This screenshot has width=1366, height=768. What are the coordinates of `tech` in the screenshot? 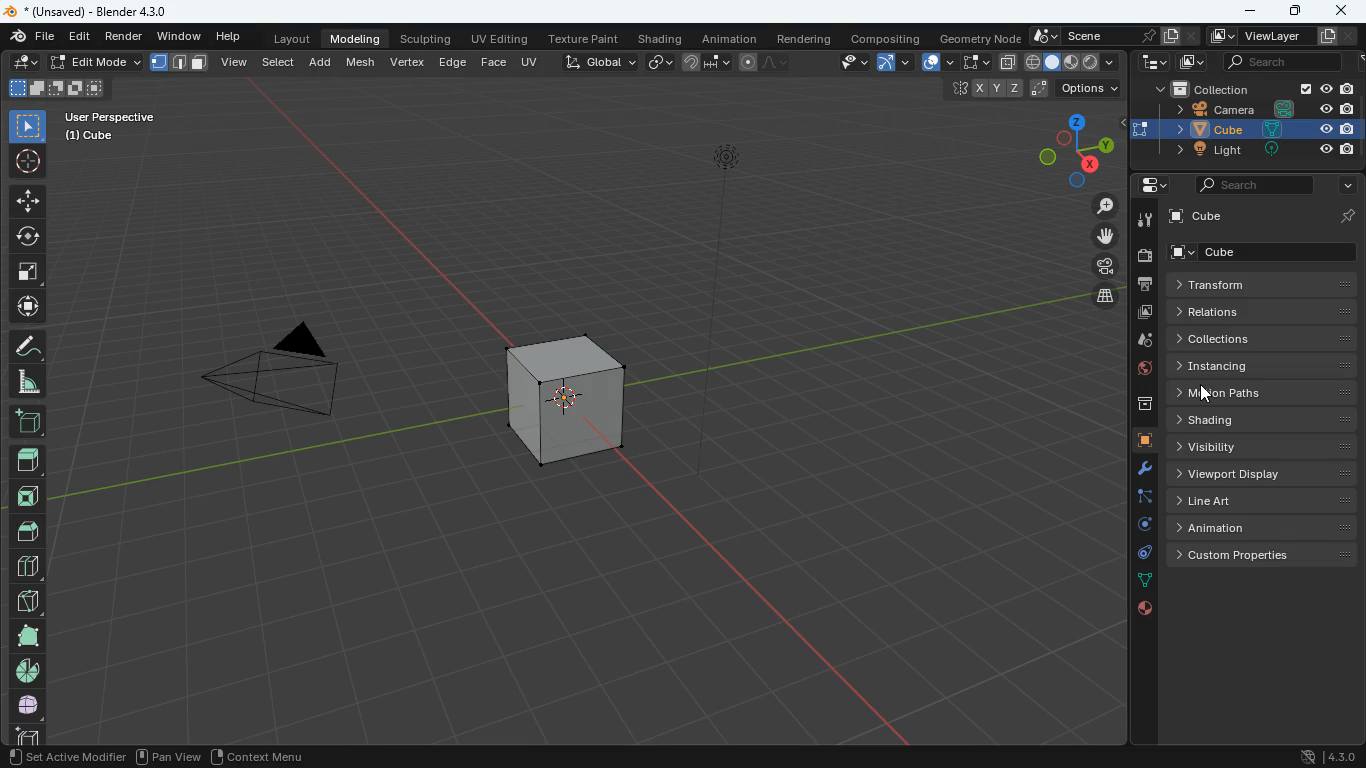 It's located at (1153, 63).